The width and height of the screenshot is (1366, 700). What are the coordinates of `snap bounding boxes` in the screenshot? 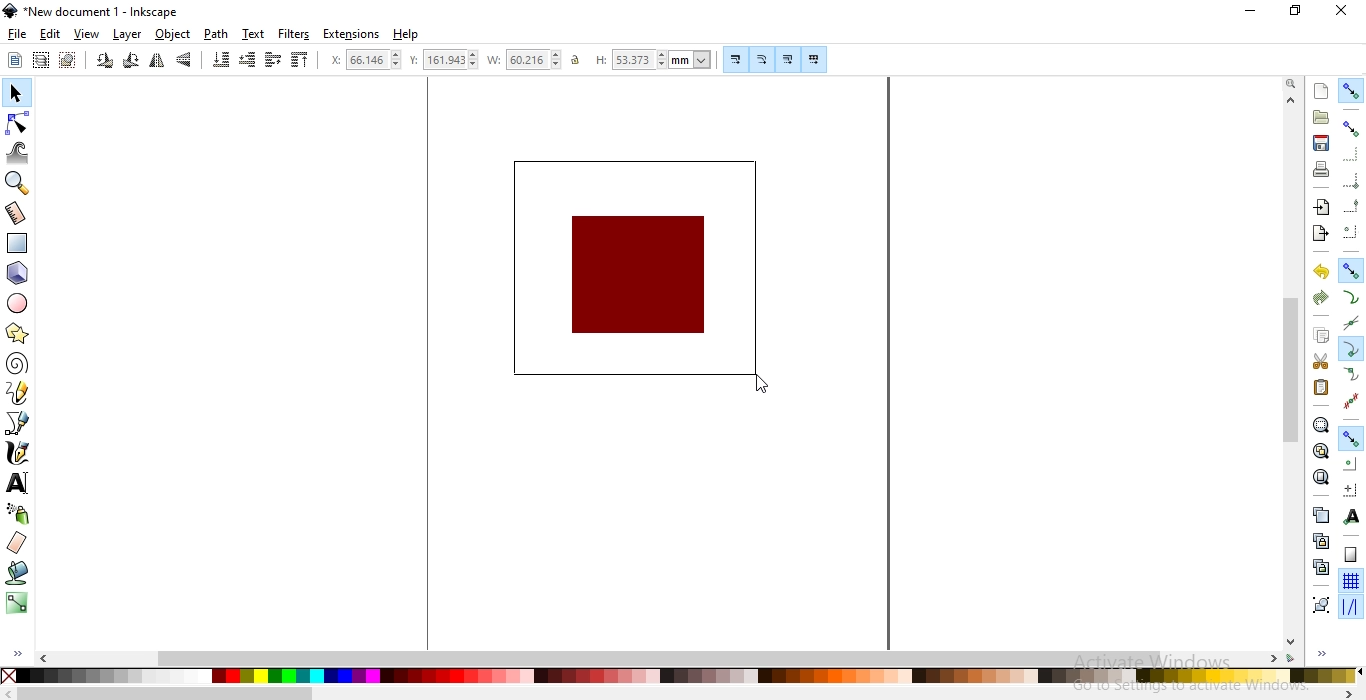 It's located at (1352, 128).